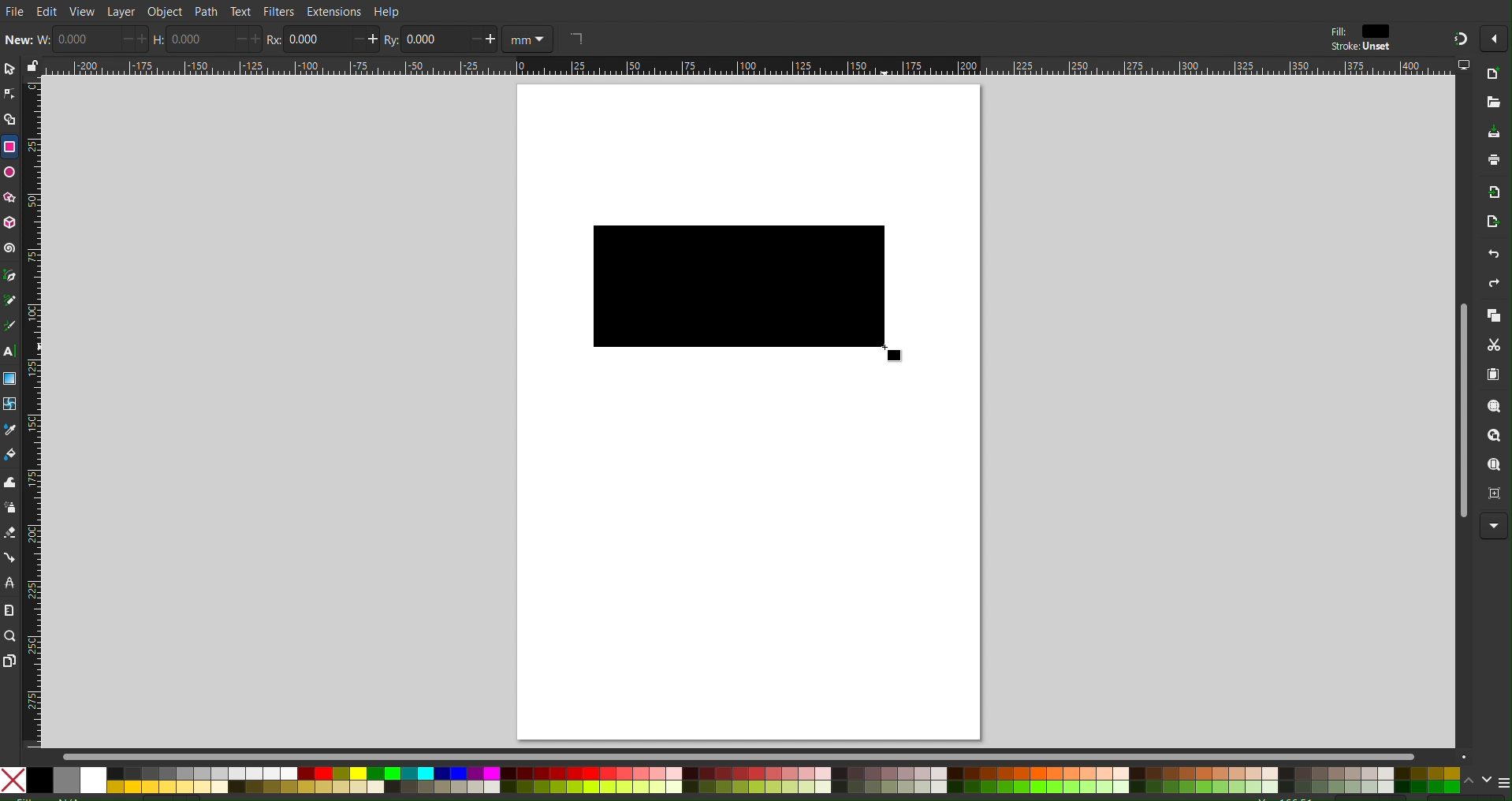  Describe the element at coordinates (1494, 38) in the screenshot. I see `More Options` at that location.